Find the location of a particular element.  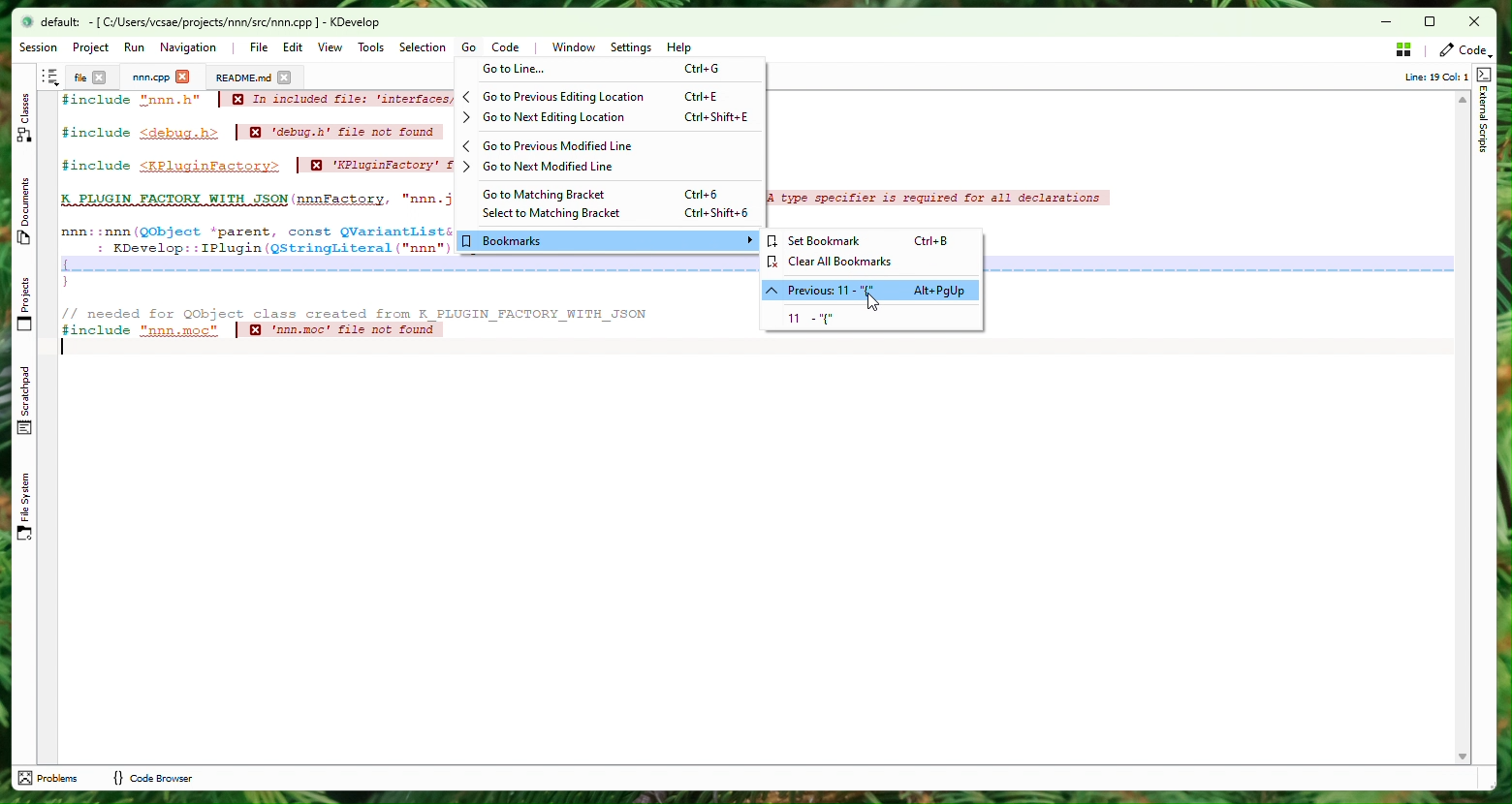

Bookmarks is located at coordinates (610, 241).